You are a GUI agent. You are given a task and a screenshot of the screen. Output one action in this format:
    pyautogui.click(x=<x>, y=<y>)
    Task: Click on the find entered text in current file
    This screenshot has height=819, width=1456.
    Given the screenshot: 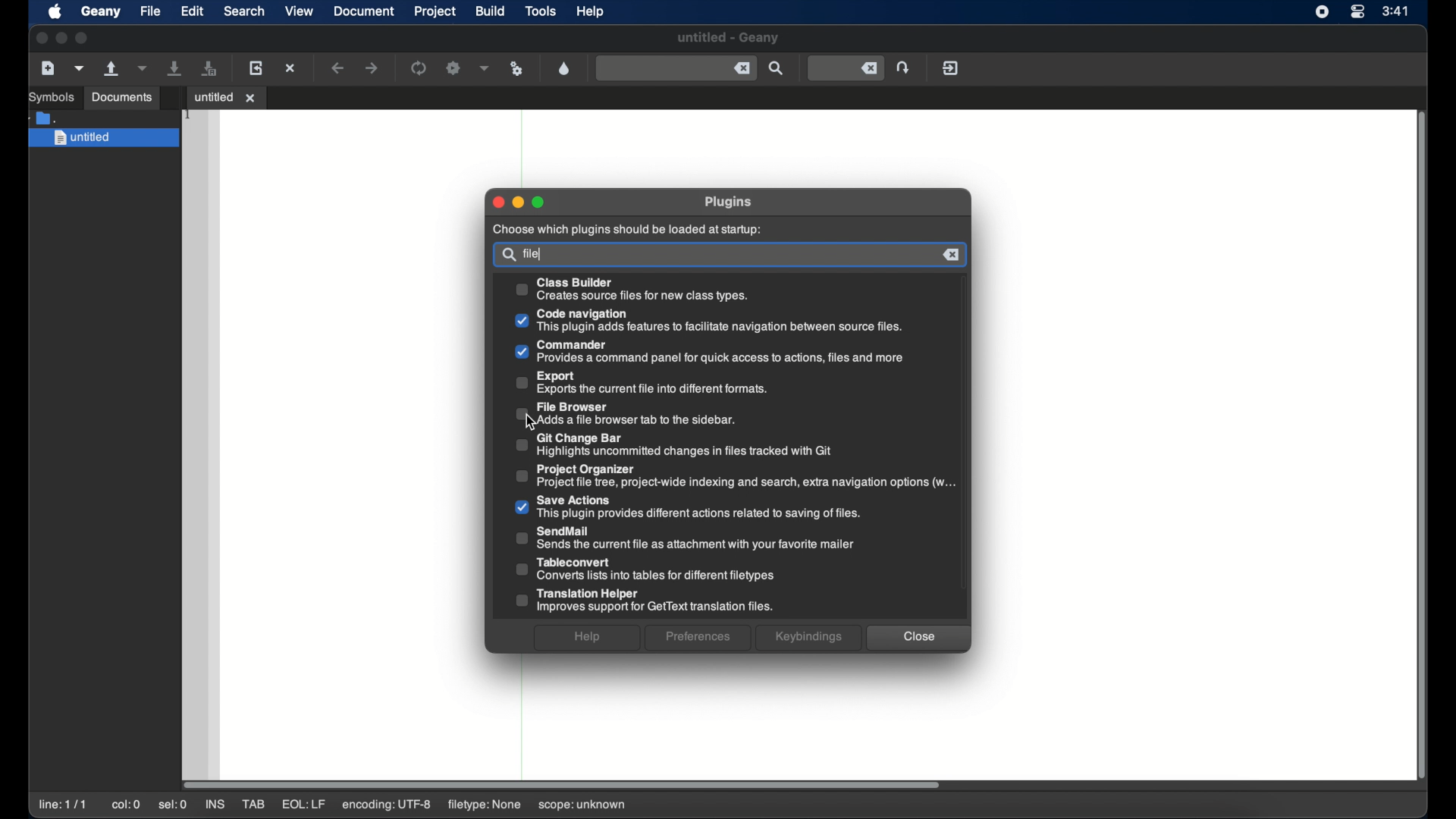 What is the action you would take?
    pyautogui.click(x=676, y=69)
    